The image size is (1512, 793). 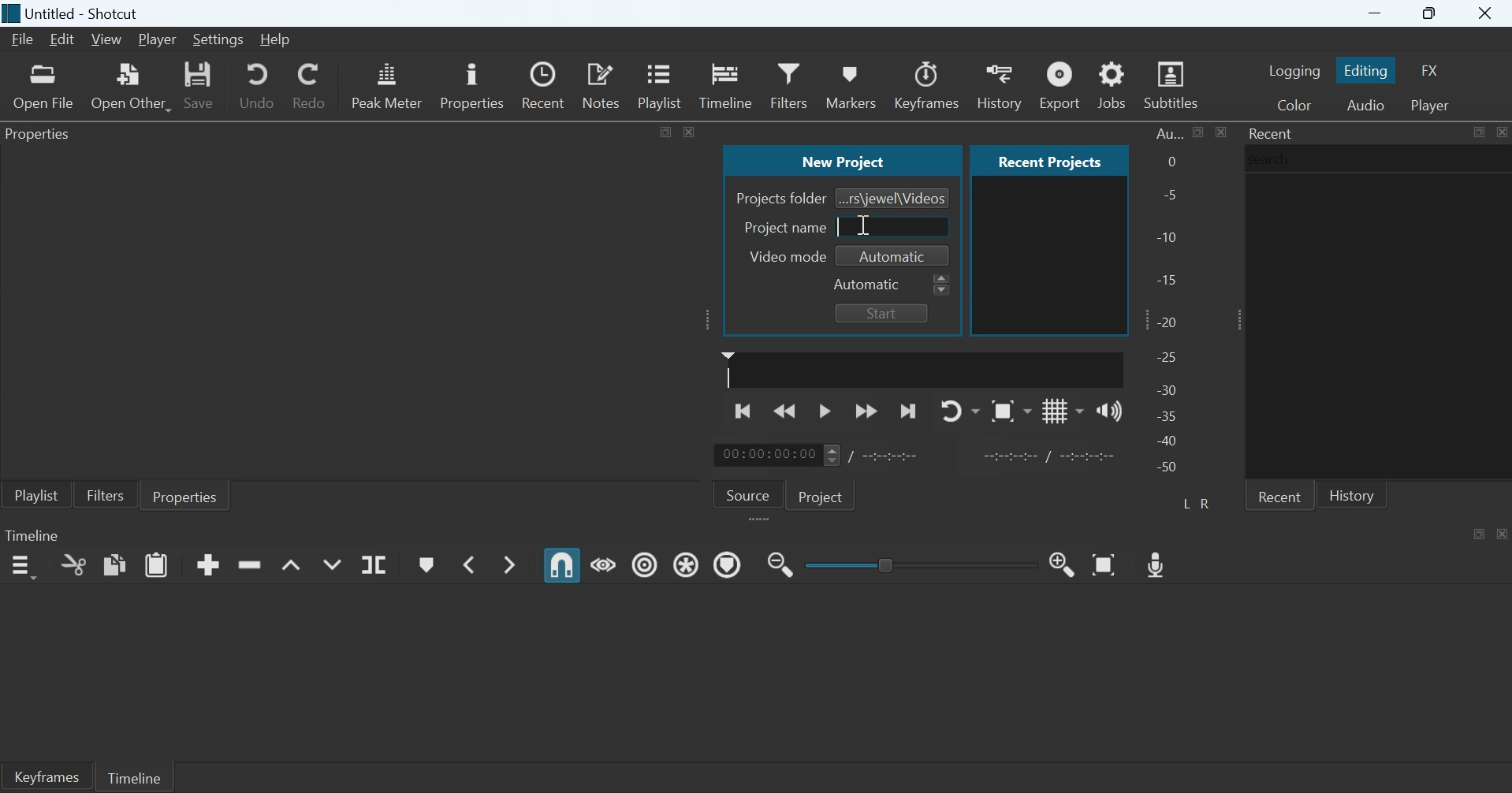 What do you see at coordinates (249, 564) in the screenshot?
I see `Ripple delete` at bounding box center [249, 564].